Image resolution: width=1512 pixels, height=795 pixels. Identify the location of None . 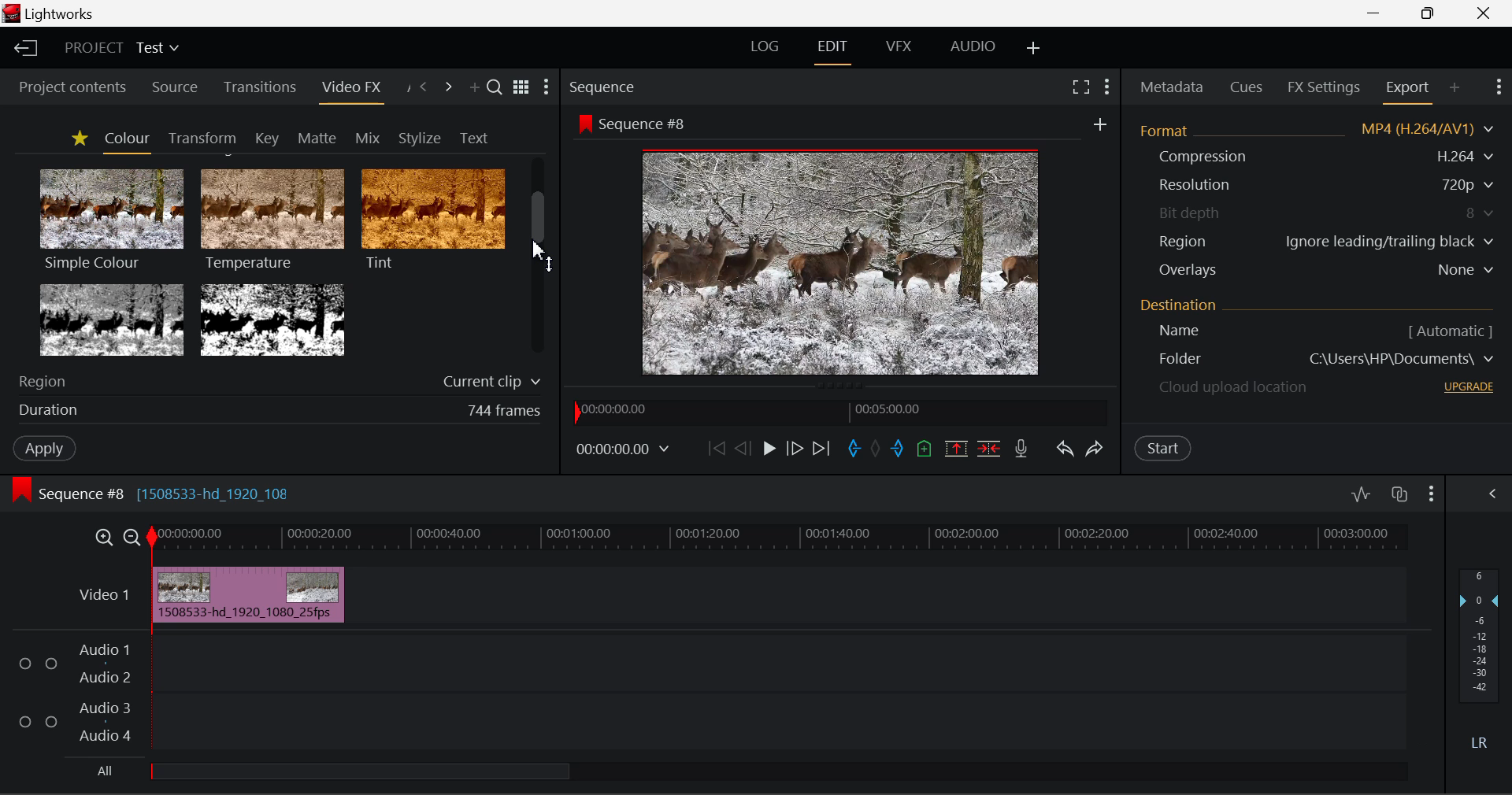
(1467, 270).